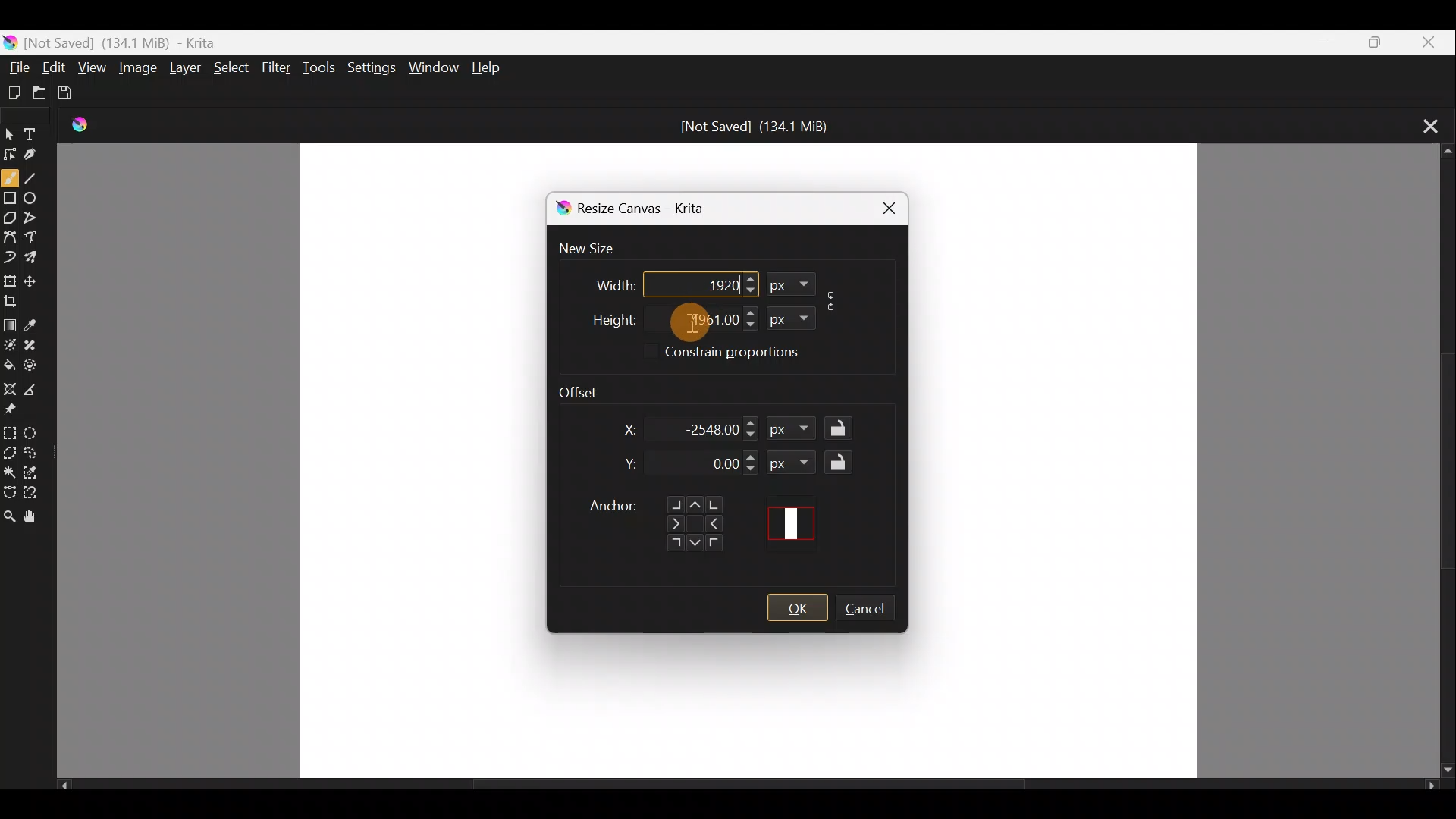 The width and height of the screenshot is (1456, 819). I want to click on [Not Saved] (134.1 MiB) - Krita, so click(160, 39).